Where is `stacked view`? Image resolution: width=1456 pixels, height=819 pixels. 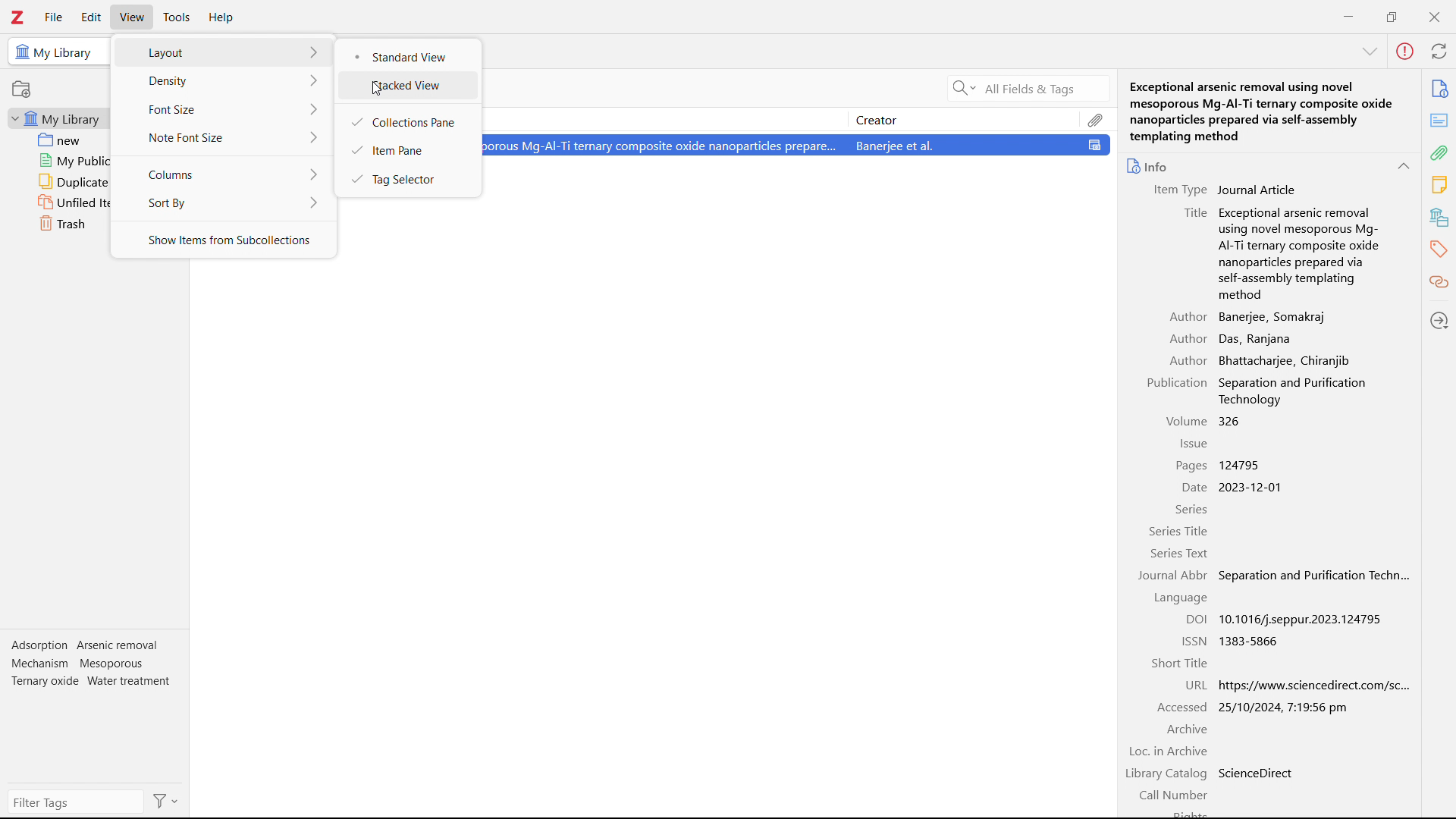 stacked view is located at coordinates (409, 86).